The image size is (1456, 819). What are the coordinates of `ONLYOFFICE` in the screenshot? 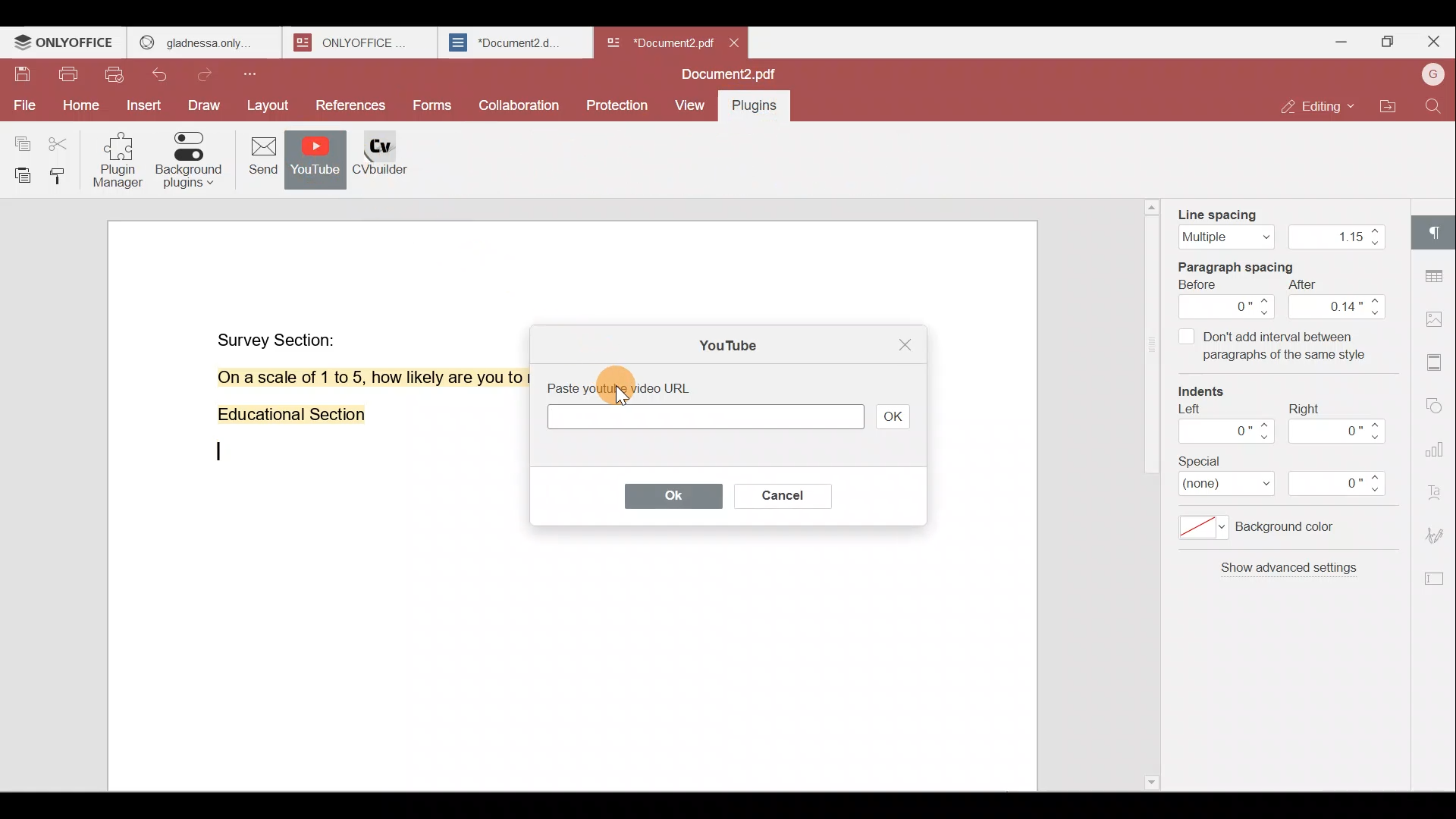 It's located at (65, 42).